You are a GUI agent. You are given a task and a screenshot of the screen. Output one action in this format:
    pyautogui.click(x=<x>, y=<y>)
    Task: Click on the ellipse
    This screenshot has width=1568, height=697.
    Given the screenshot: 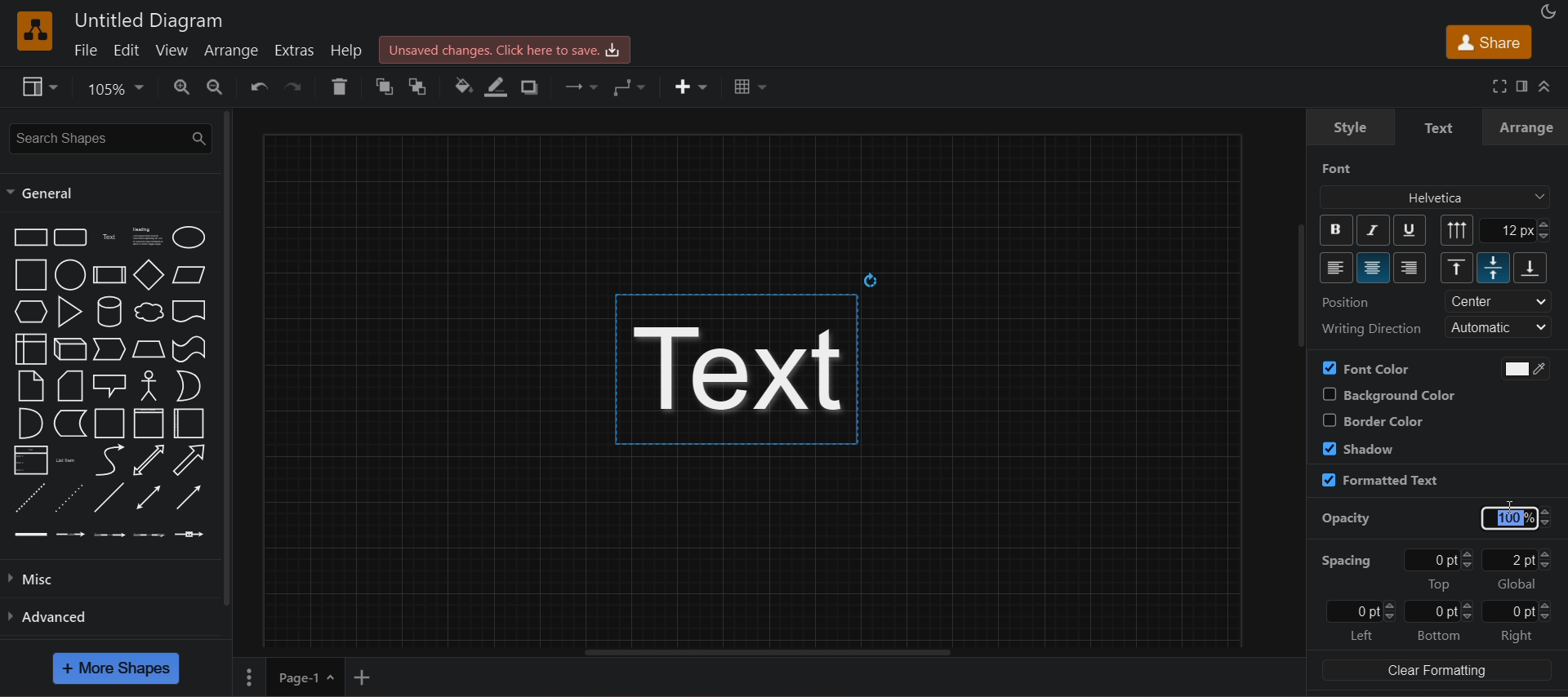 What is the action you would take?
    pyautogui.click(x=189, y=237)
    